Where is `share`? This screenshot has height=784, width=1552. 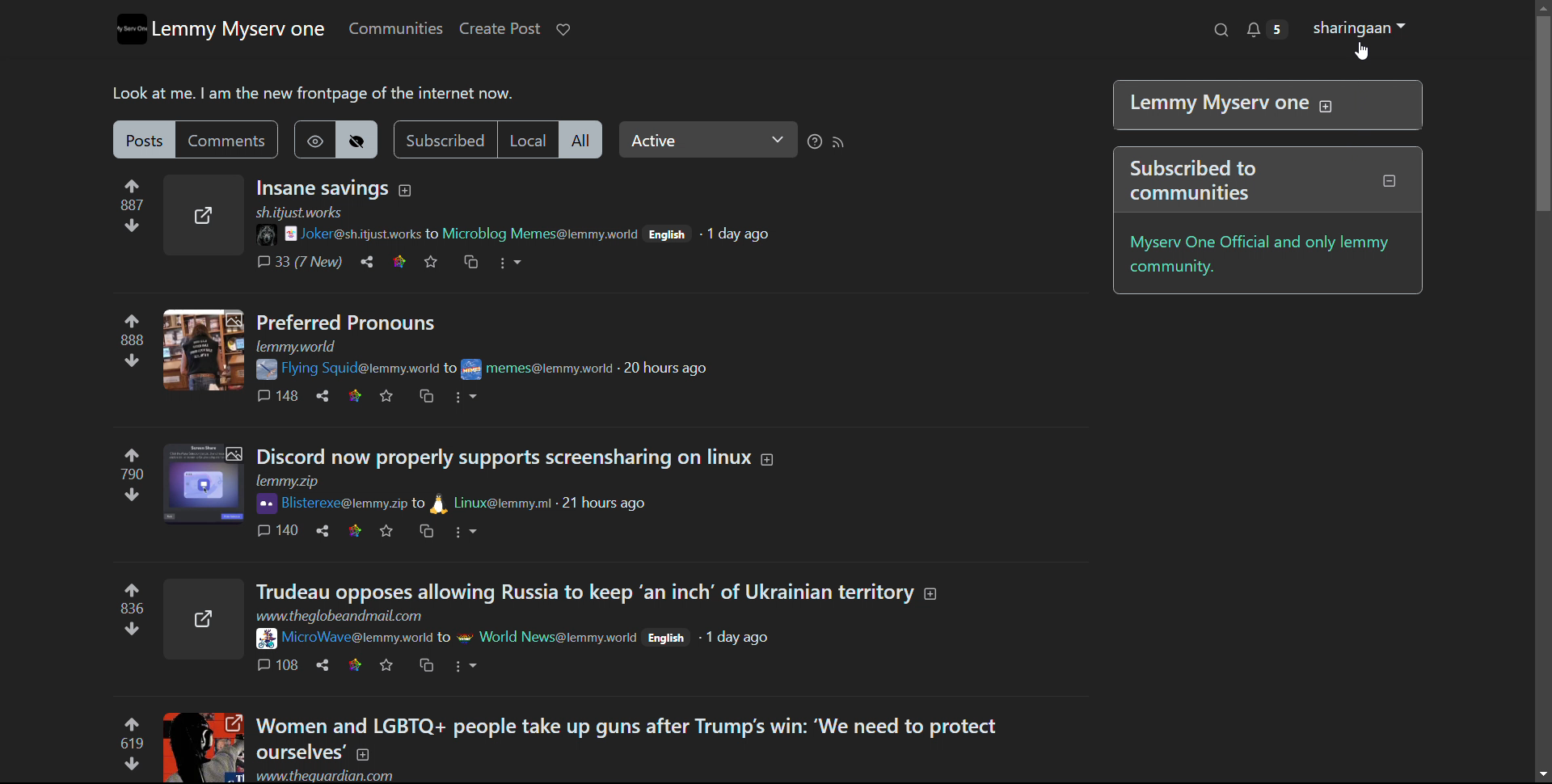 share is located at coordinates (324, 530).